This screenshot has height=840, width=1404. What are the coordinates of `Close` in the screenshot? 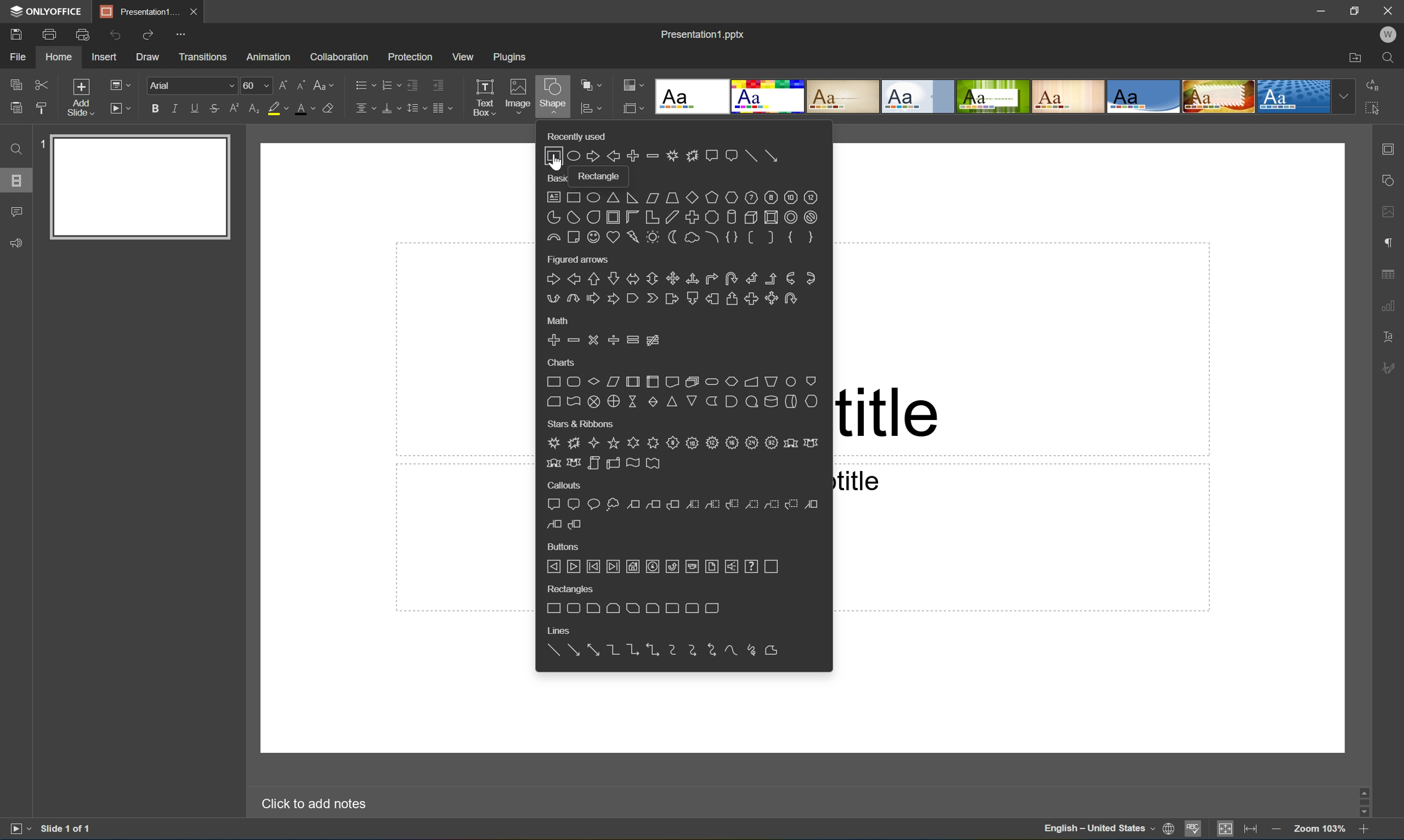 It's located at (194, 11).